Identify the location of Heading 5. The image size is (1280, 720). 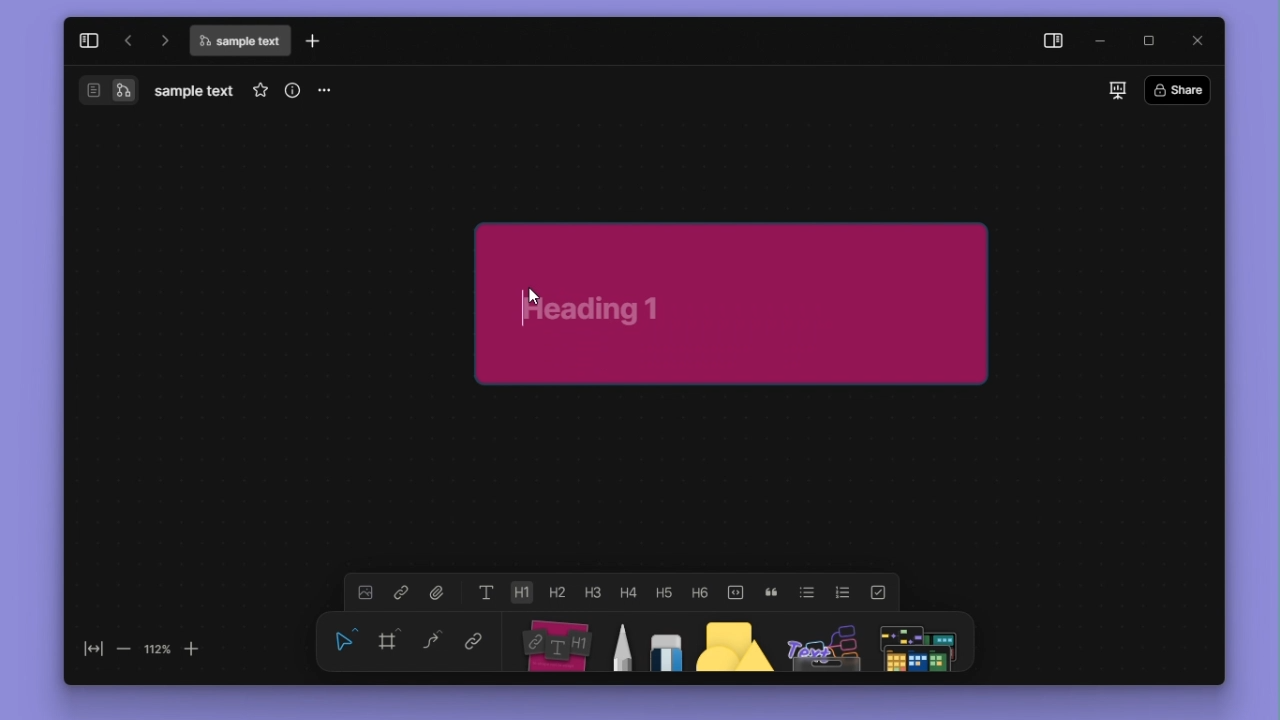
(664, 592).